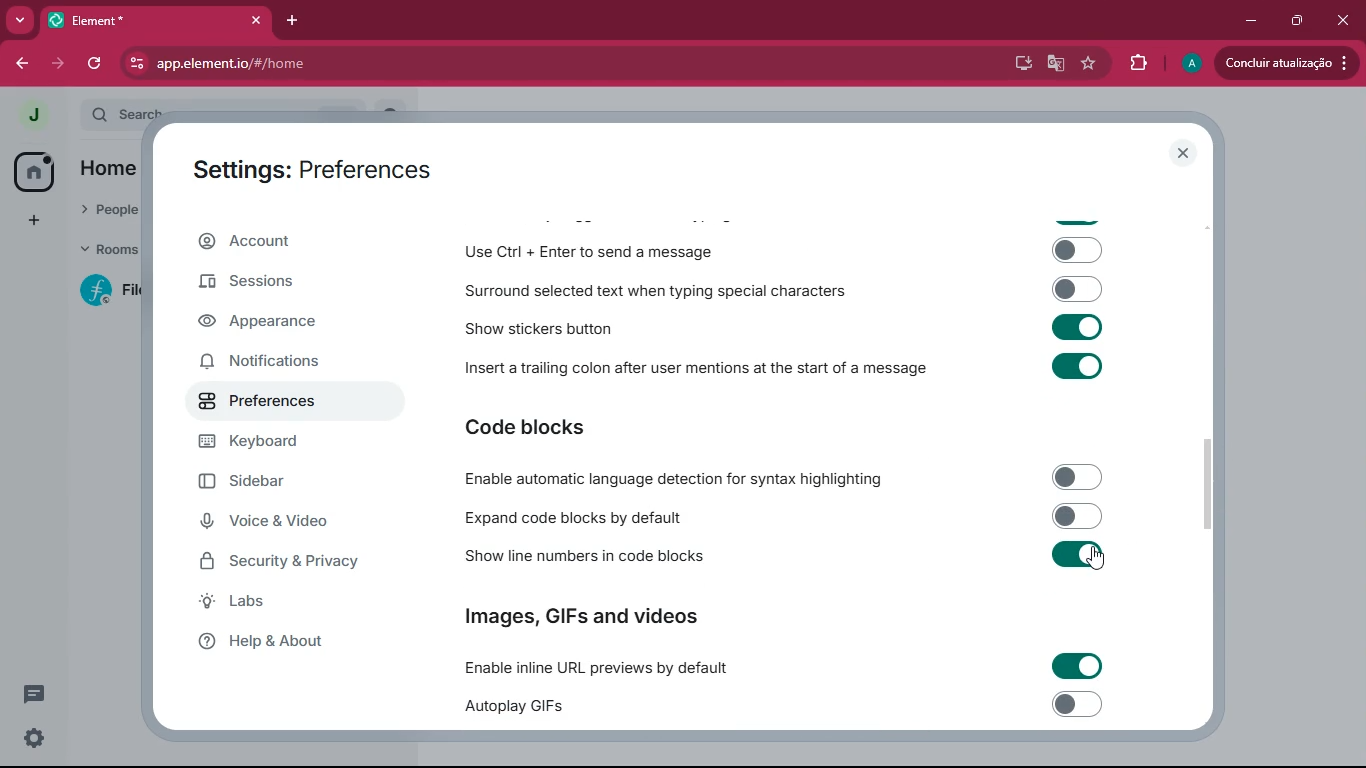 The height and width of the screenshot is (768, 1366). I want to click on close, so click(1185, 154).